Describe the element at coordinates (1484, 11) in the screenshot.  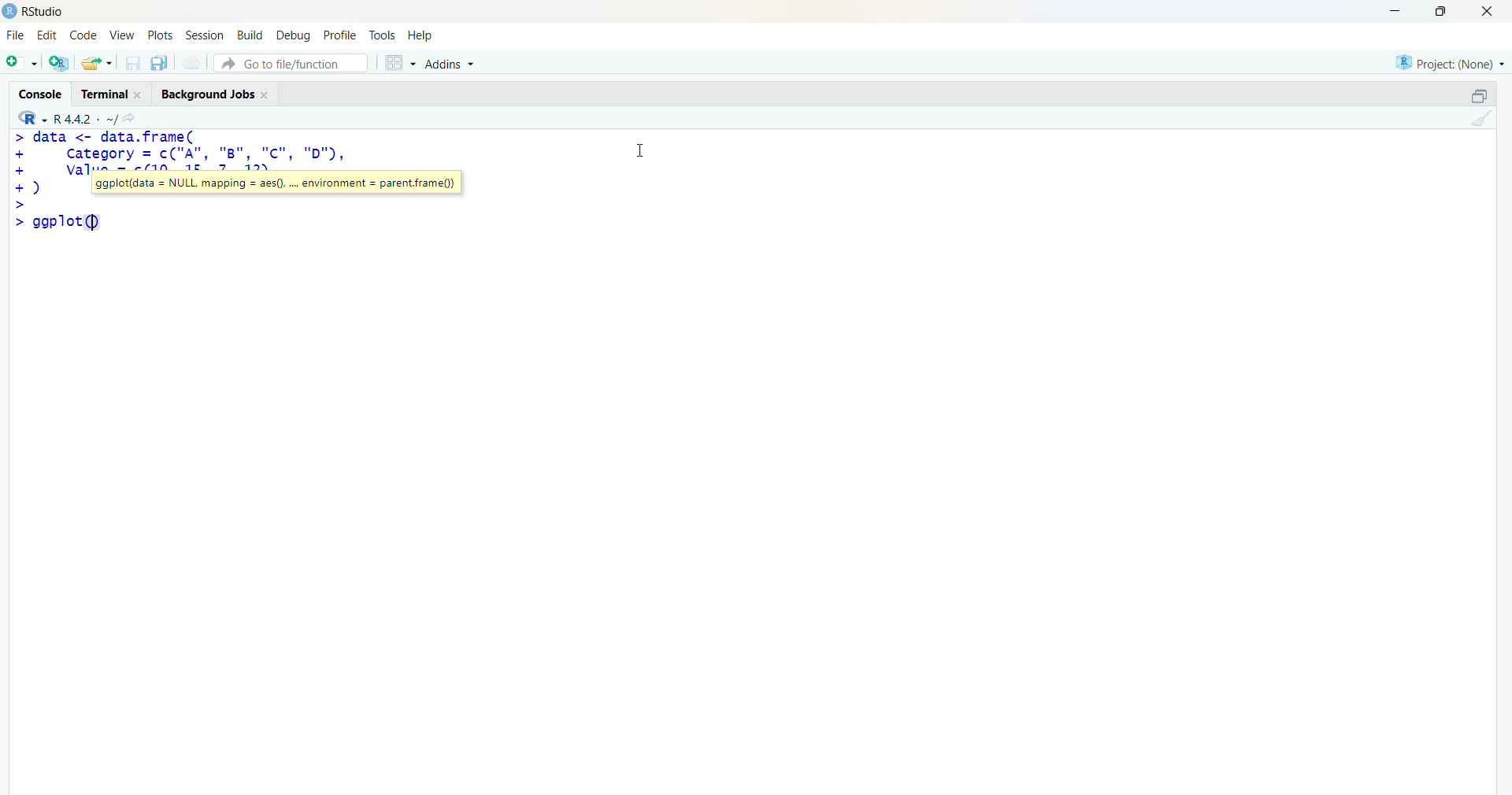
I see `Close` at that location.